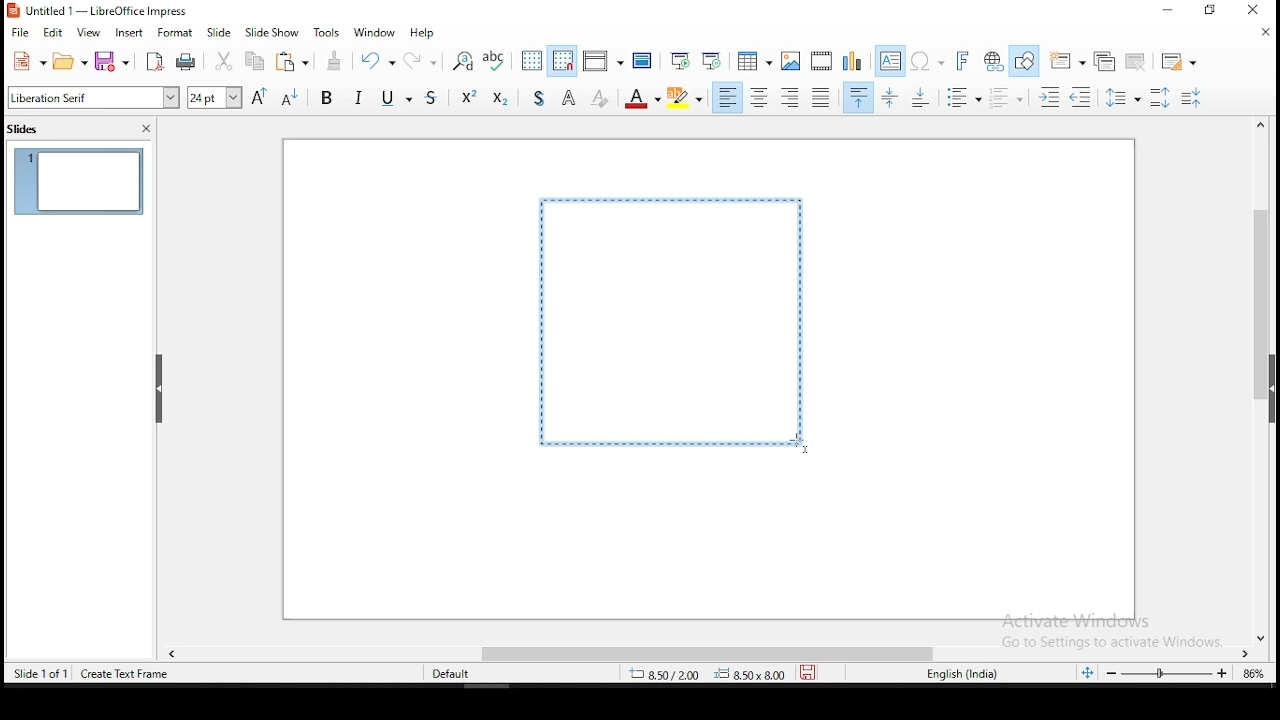  I want to click on restore, so click(1210, 11).